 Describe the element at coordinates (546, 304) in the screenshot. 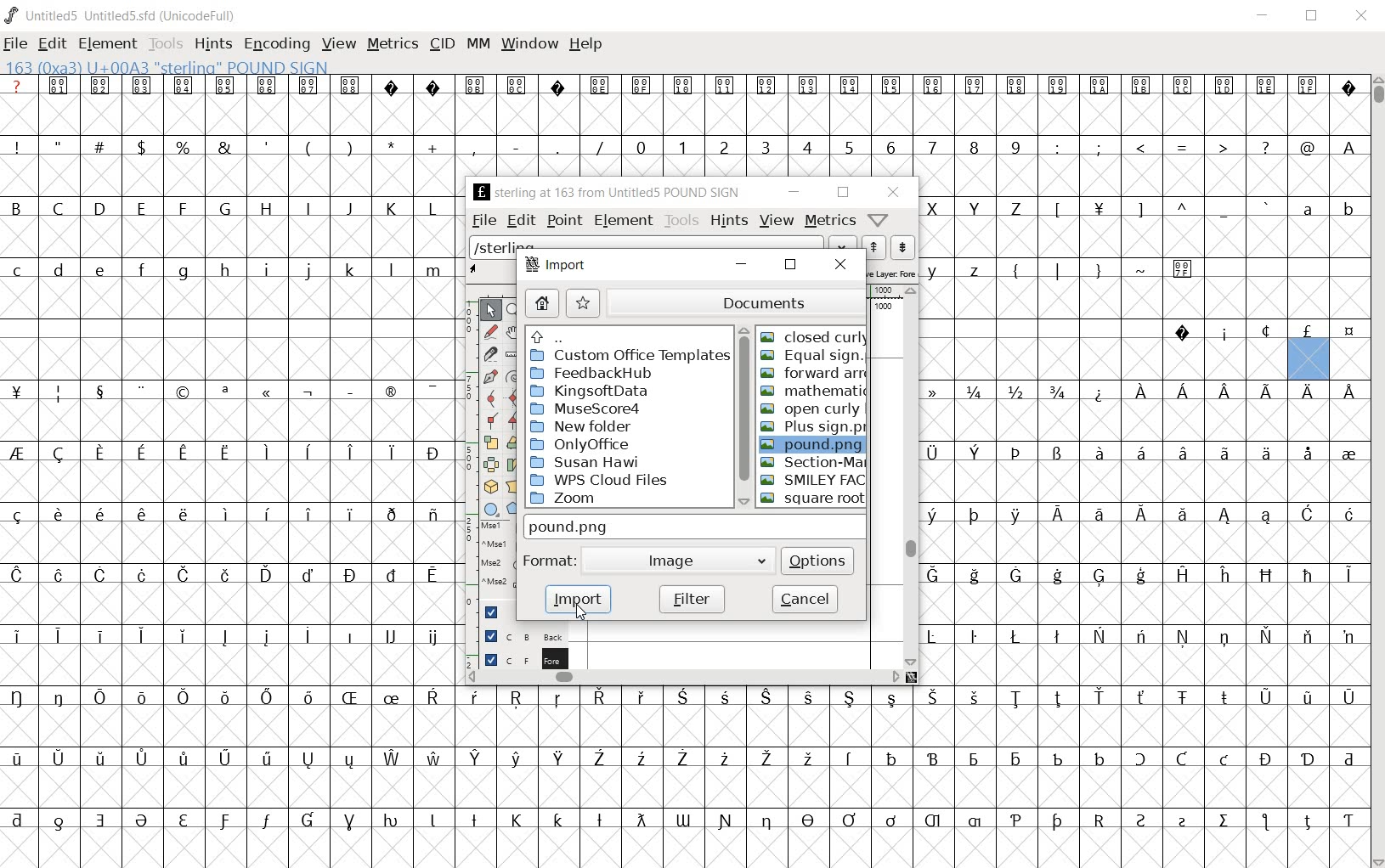

I see `home` at that location.